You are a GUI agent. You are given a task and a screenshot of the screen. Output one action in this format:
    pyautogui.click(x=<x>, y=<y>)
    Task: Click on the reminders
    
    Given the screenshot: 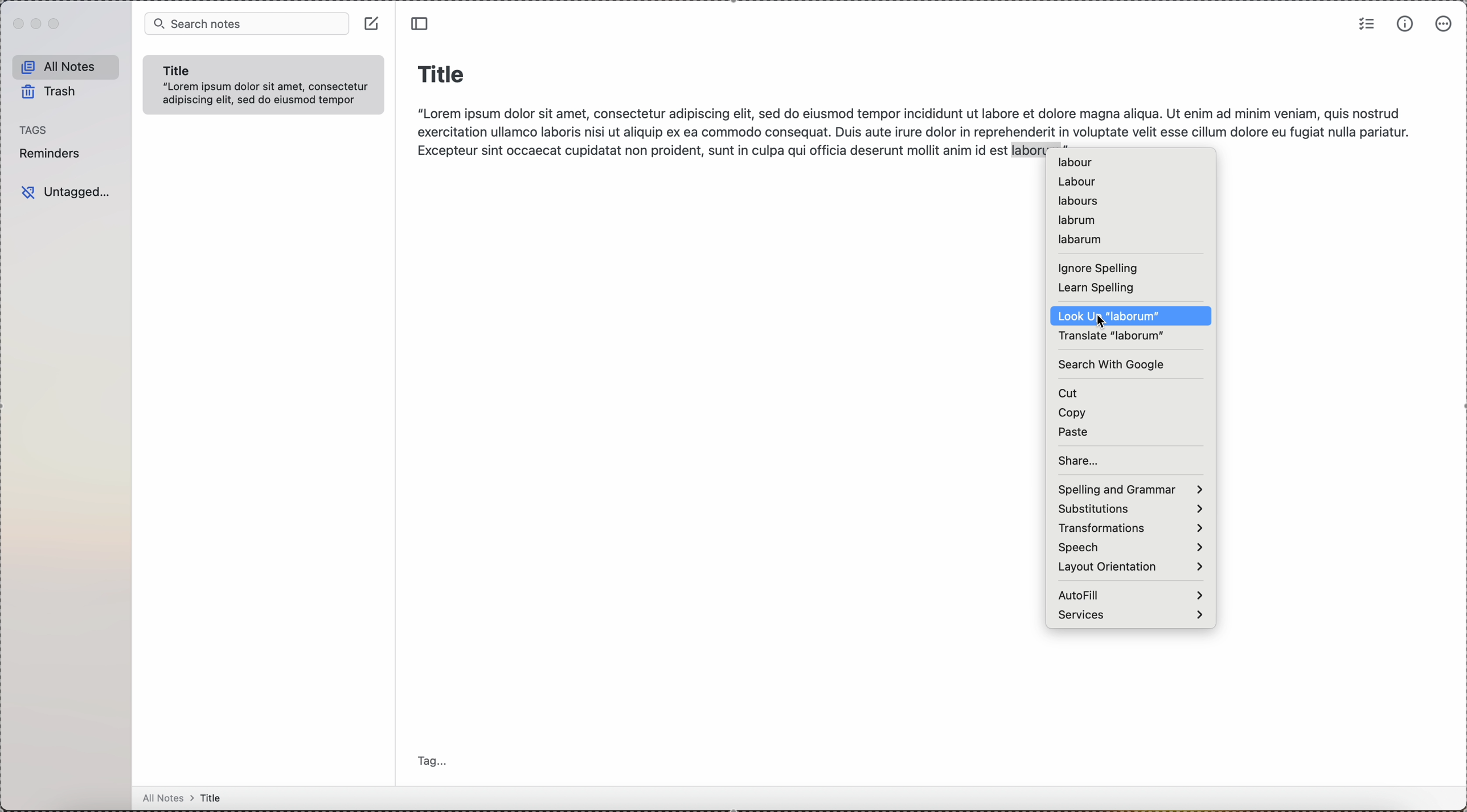 What is the action you would take?
    pyautogui.click(x=53, y=155)
    